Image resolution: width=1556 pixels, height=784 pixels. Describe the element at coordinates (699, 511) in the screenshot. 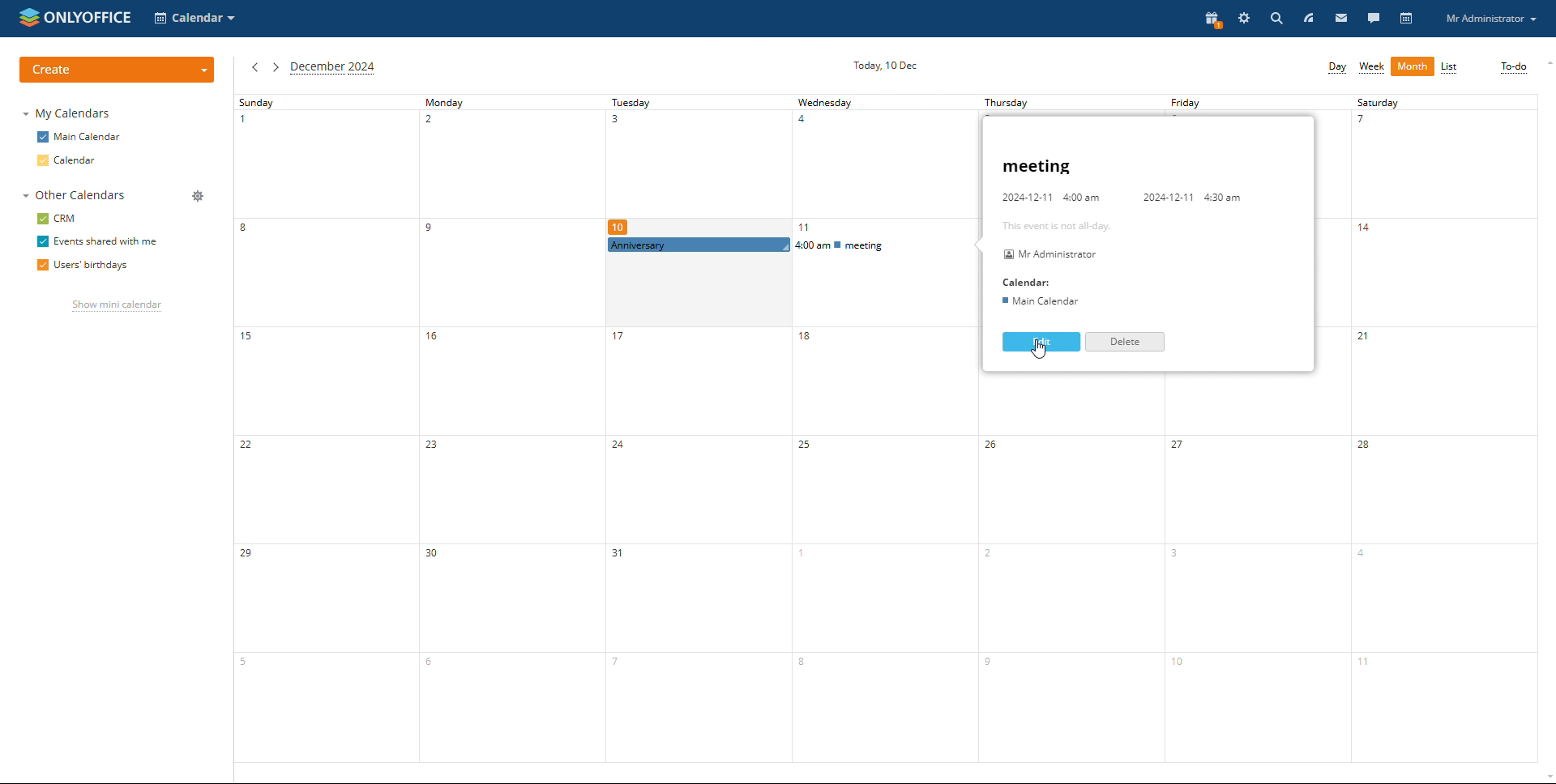

I see `tuesday` at that location.